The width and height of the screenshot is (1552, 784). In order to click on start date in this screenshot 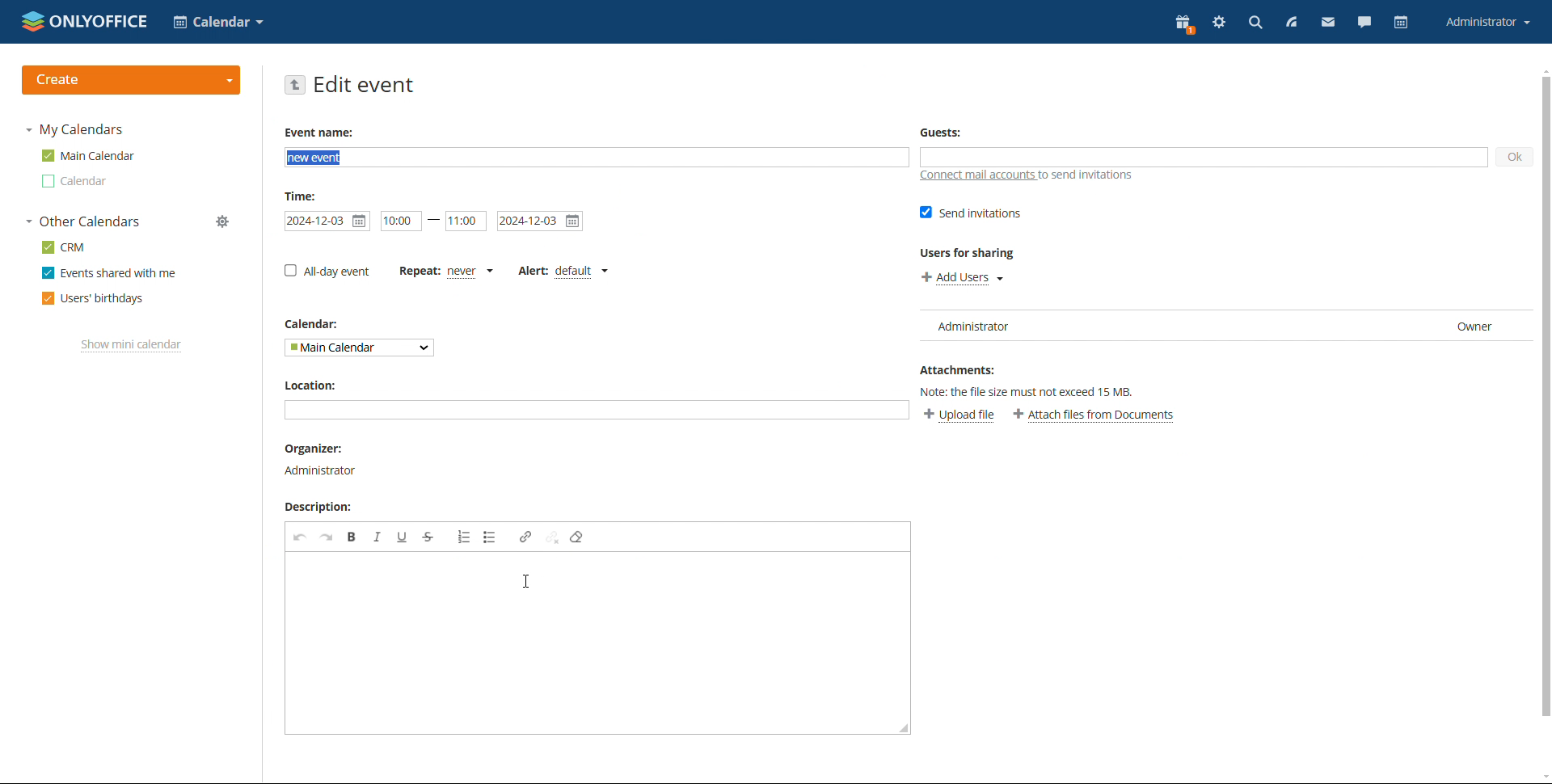, I will do `click(327, 221)`.